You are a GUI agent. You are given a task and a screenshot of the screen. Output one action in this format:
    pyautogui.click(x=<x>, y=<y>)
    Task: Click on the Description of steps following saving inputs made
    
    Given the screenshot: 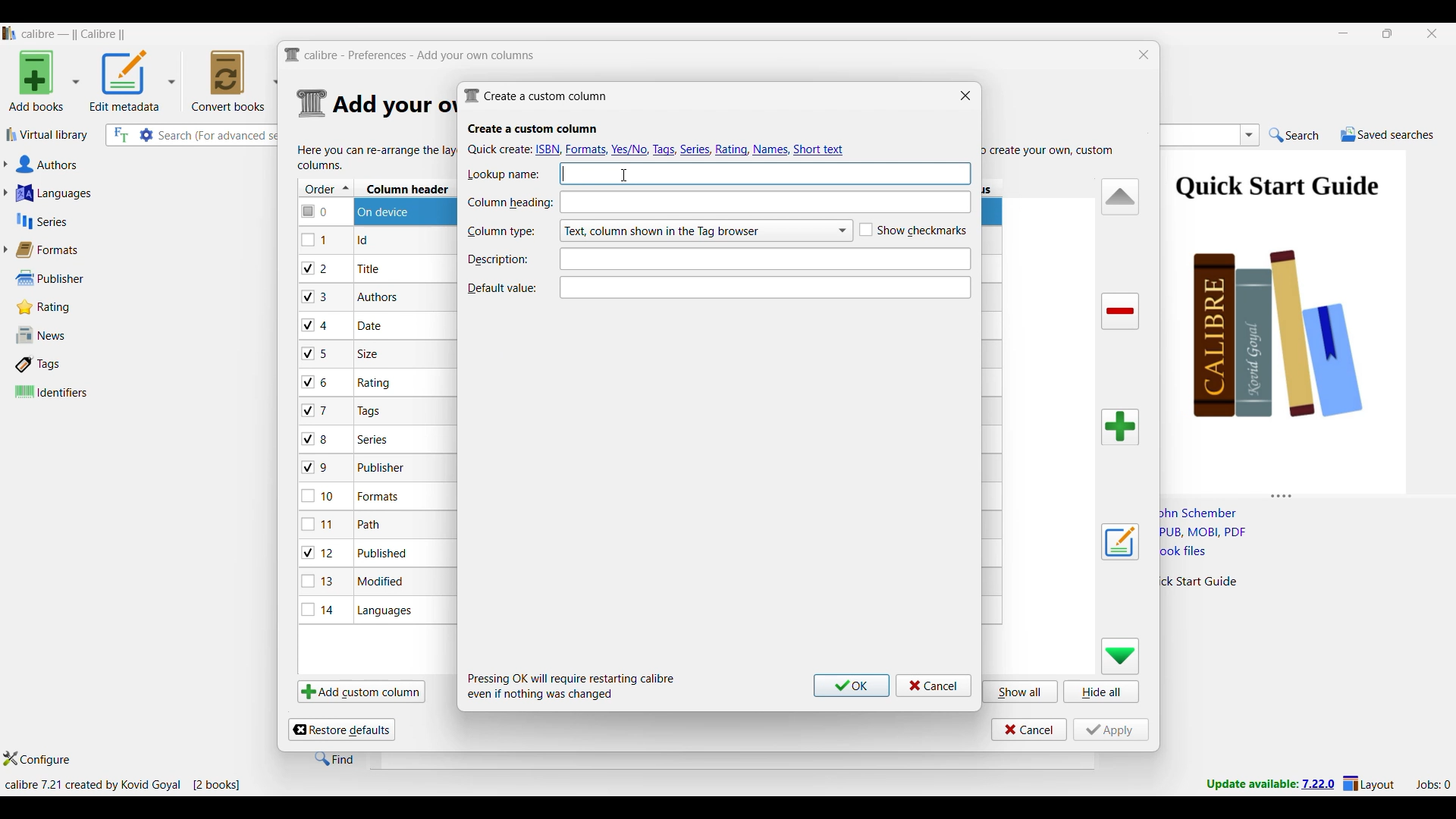 What is the action you would take?
    pyautogui.click(x=572, y=686)
    